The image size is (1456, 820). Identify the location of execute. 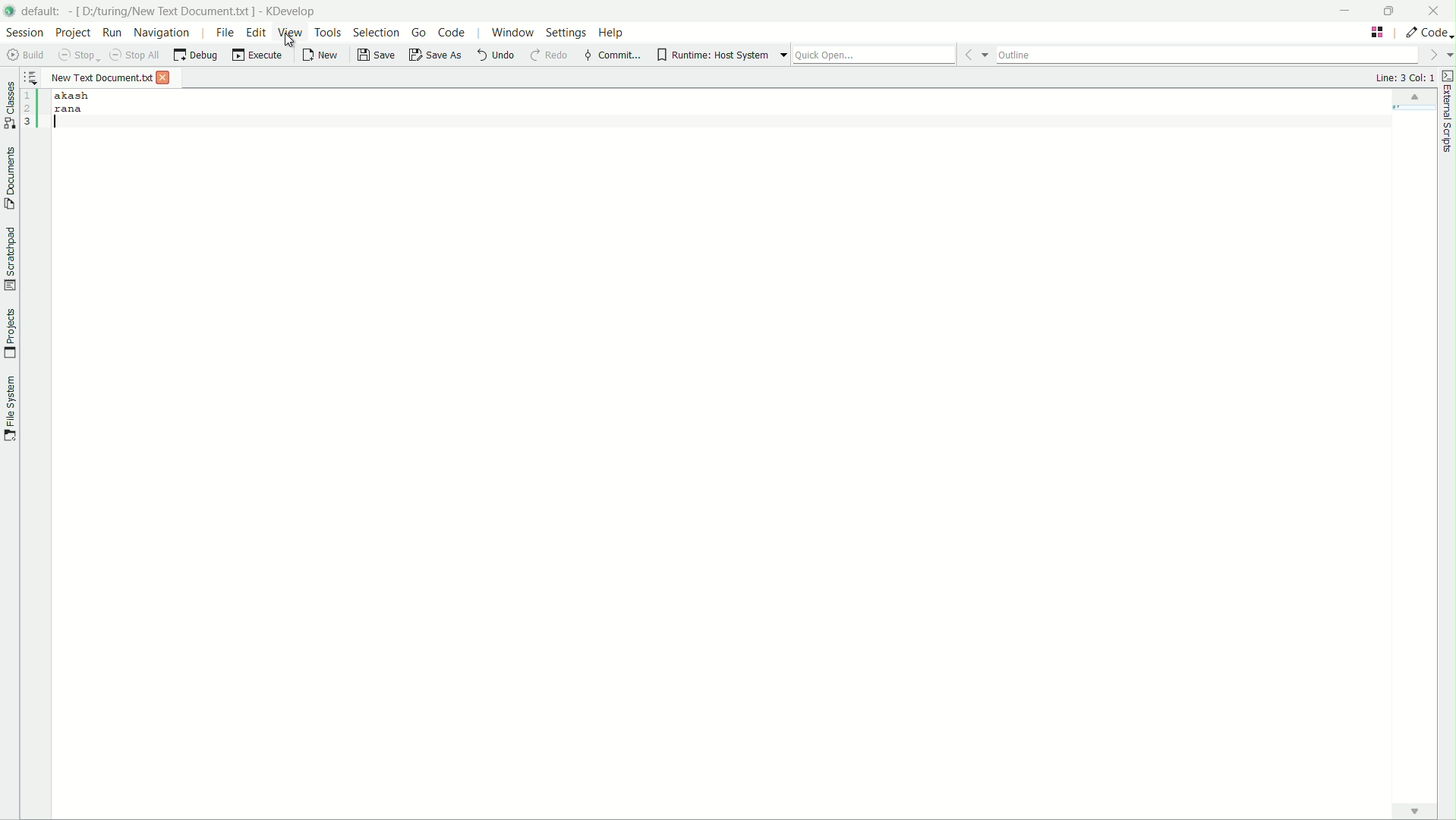
(256, 55).